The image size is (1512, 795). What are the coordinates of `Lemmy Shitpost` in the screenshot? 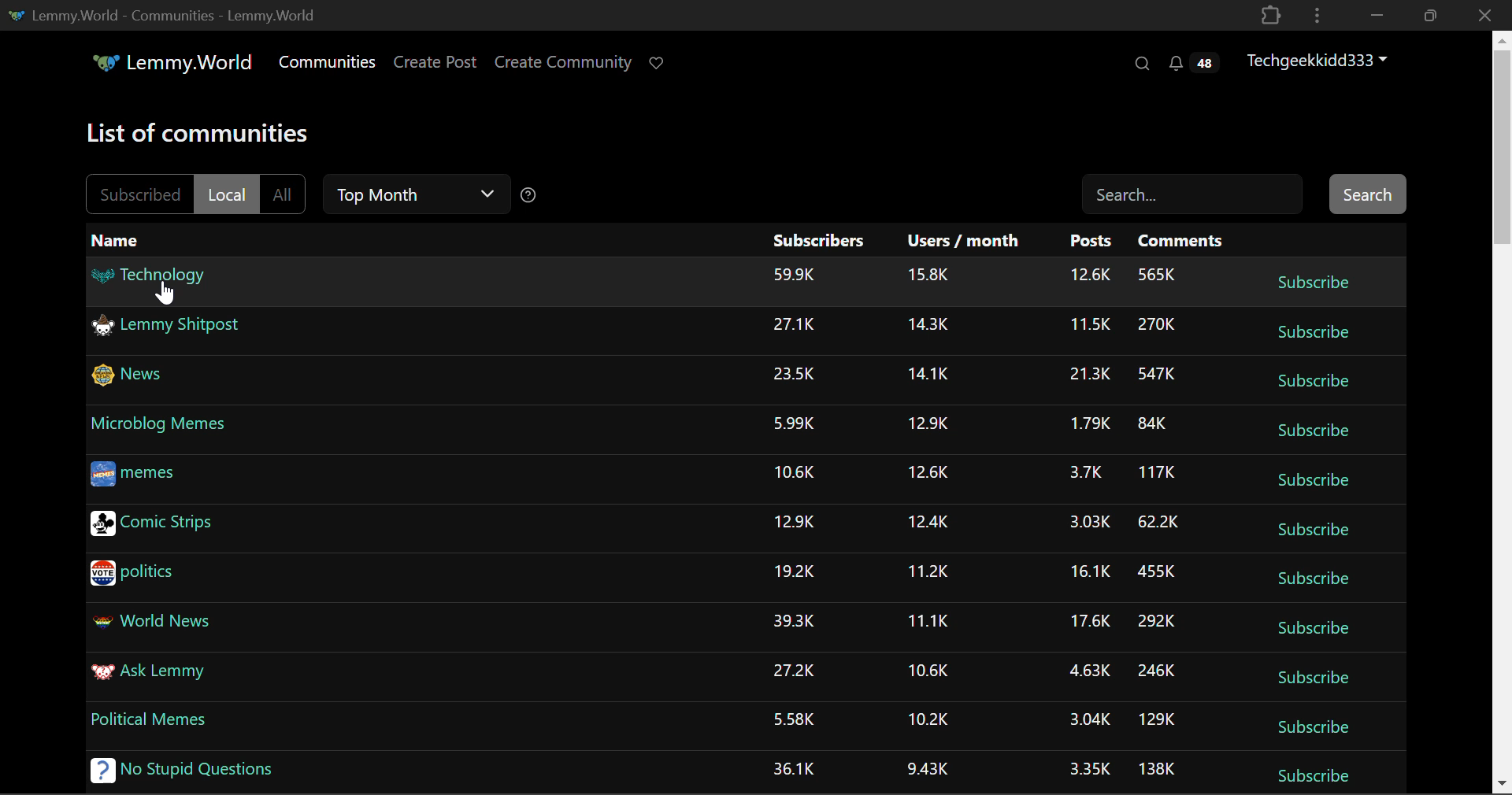 It's located at (171, 330).